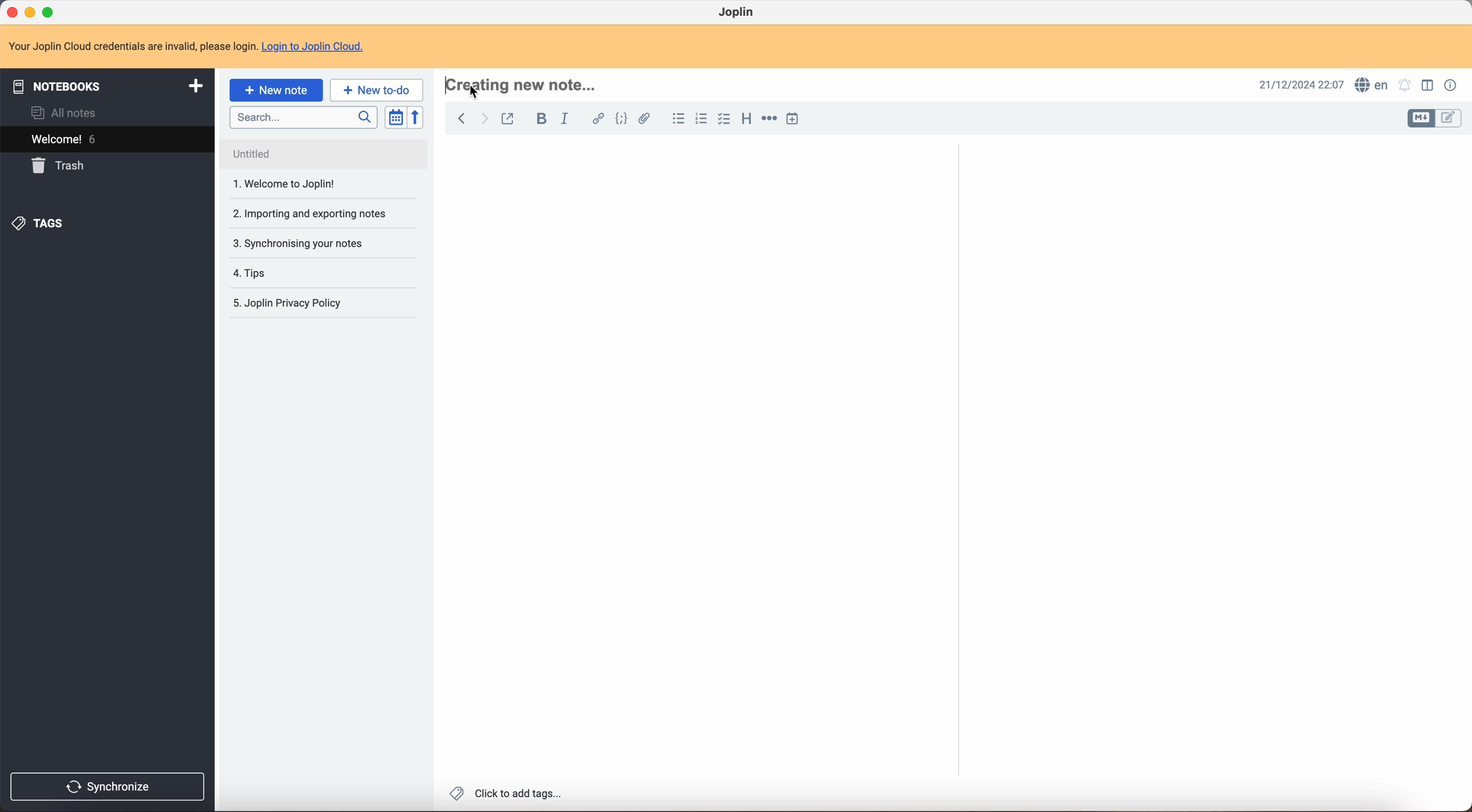 This screenshot has height=812, width=1472. Describe the element at coordinates (309, 183) in the screenshot. I see `importing and exporting notes` at that location.